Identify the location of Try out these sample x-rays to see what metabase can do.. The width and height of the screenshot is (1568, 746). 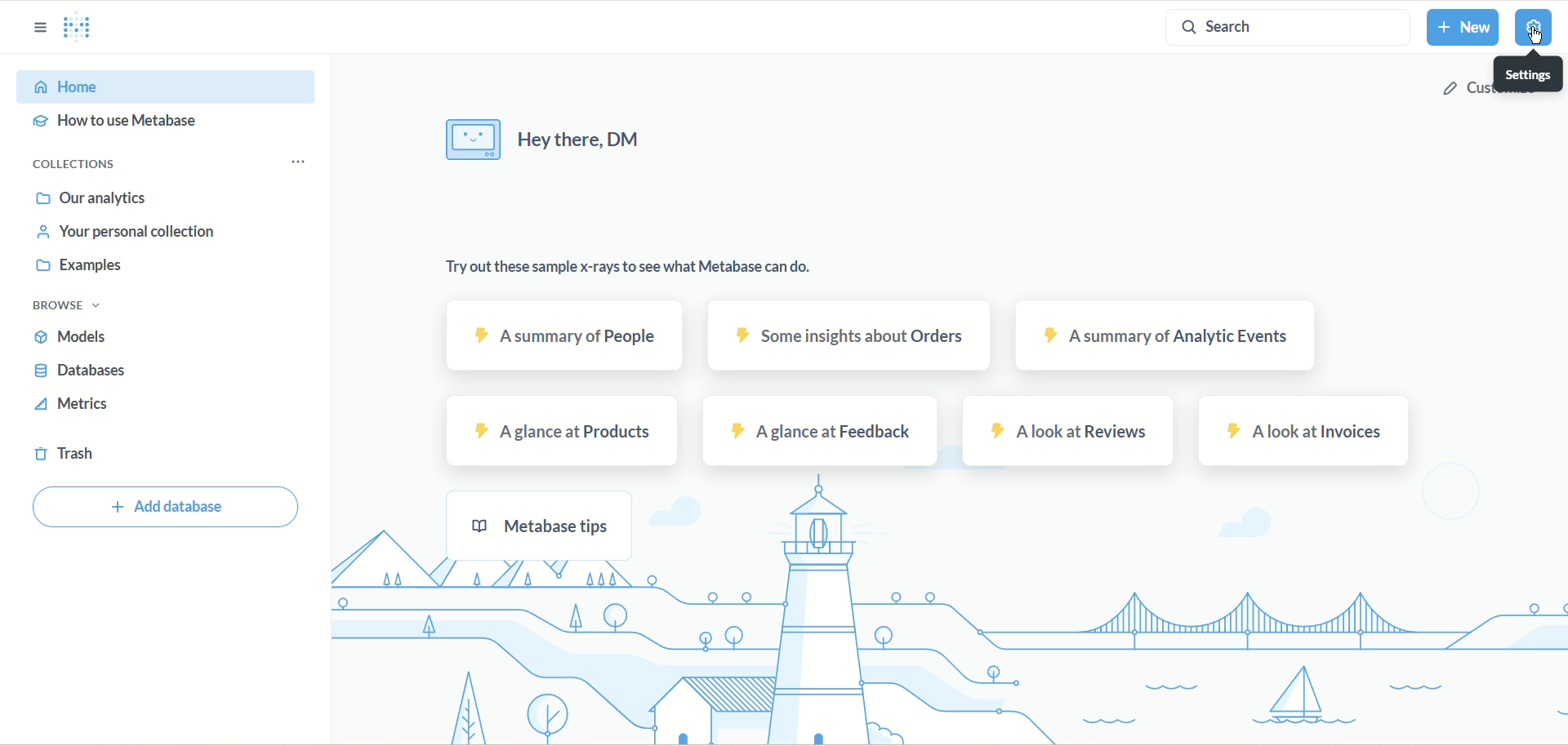
(635, 267).